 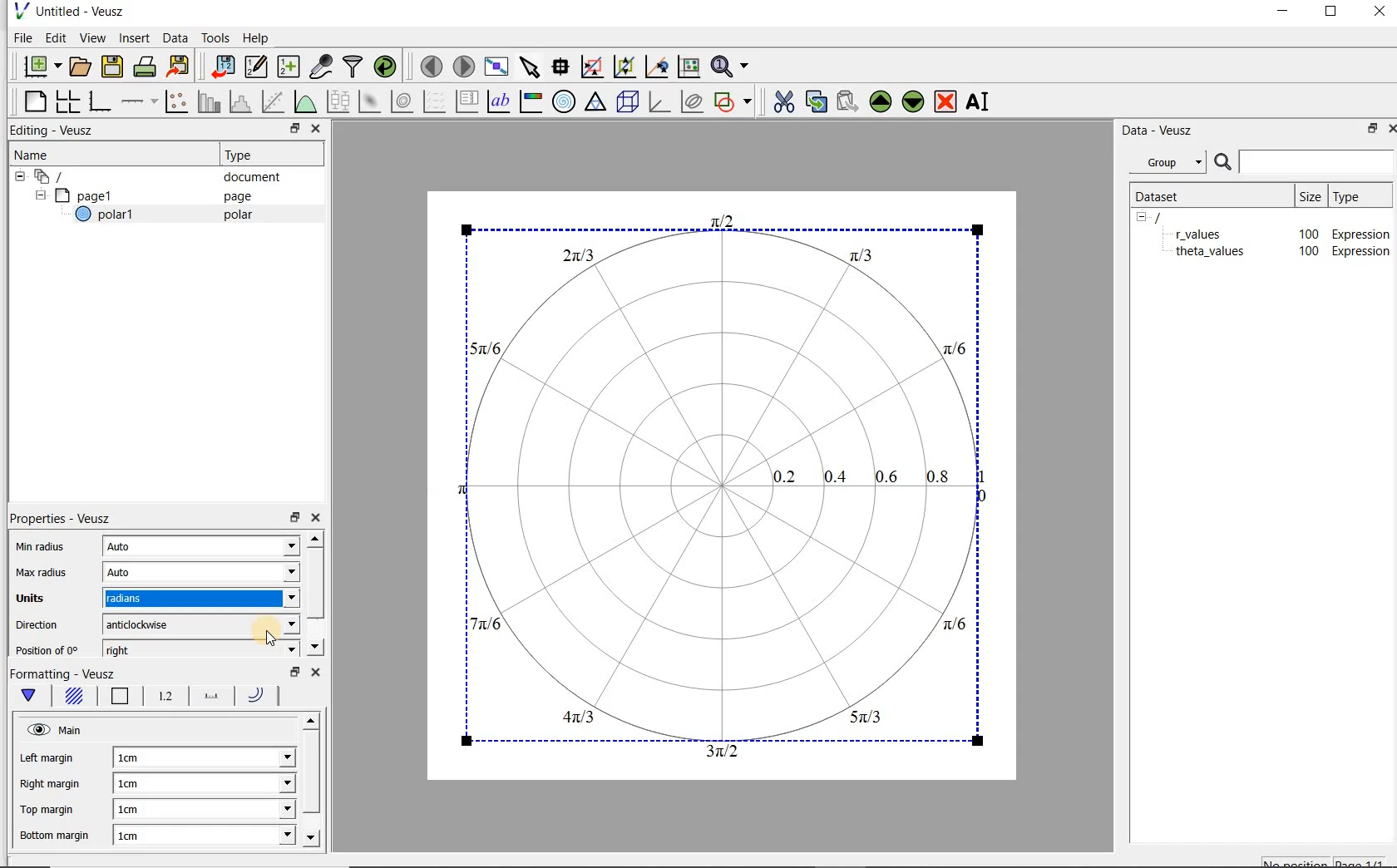 What do you see at coordinates (731, 62) in the screenshot?
I see `Zoom functions menu` at bounding box center [731, 62].